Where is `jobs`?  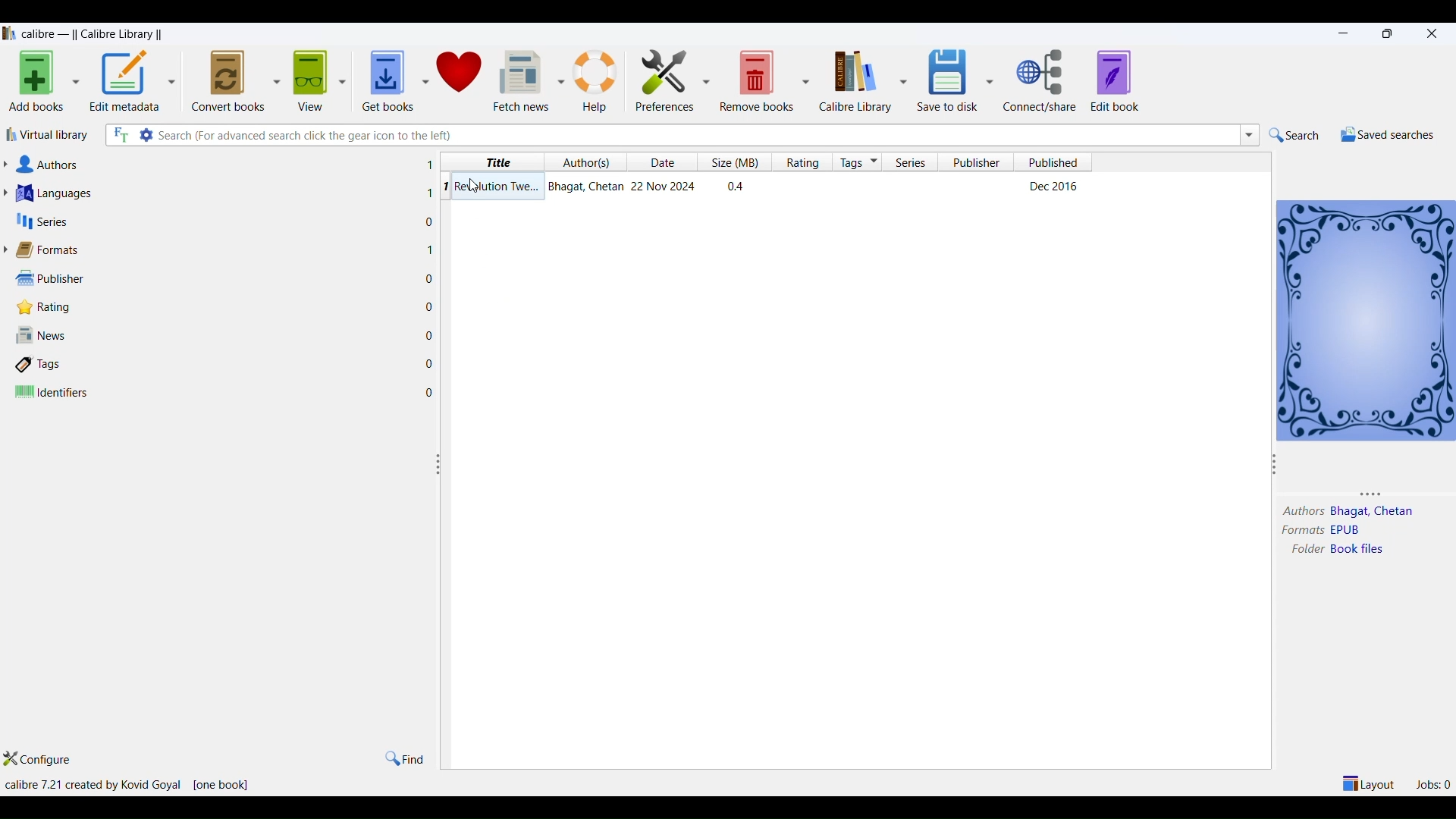 jobs is located at coordinates (1429, 783).